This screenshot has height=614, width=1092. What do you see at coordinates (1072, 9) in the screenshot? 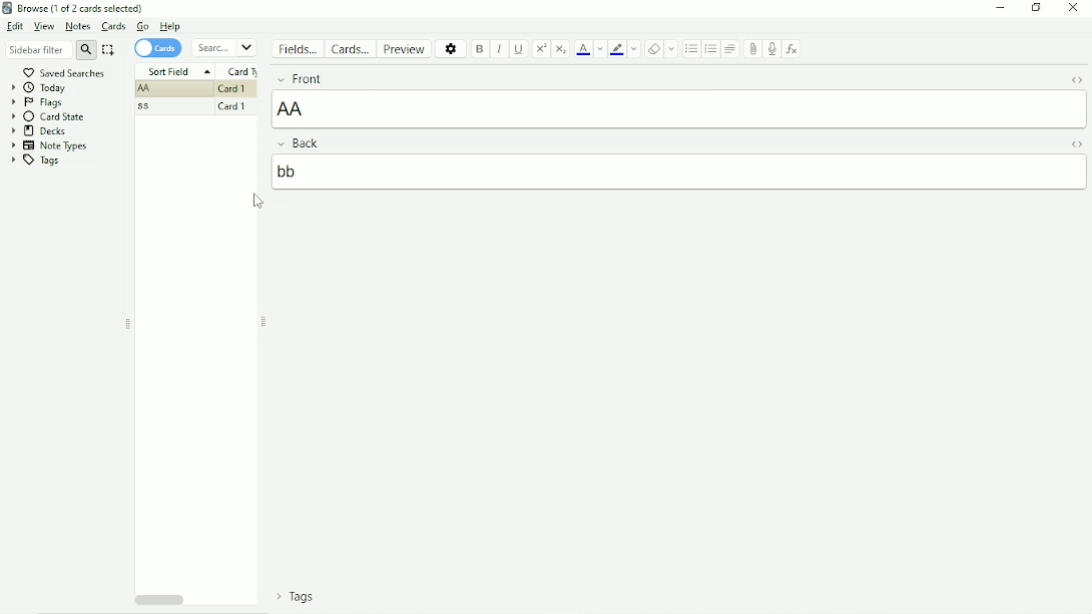
I see `Close` at bounding box center [1072, 9].